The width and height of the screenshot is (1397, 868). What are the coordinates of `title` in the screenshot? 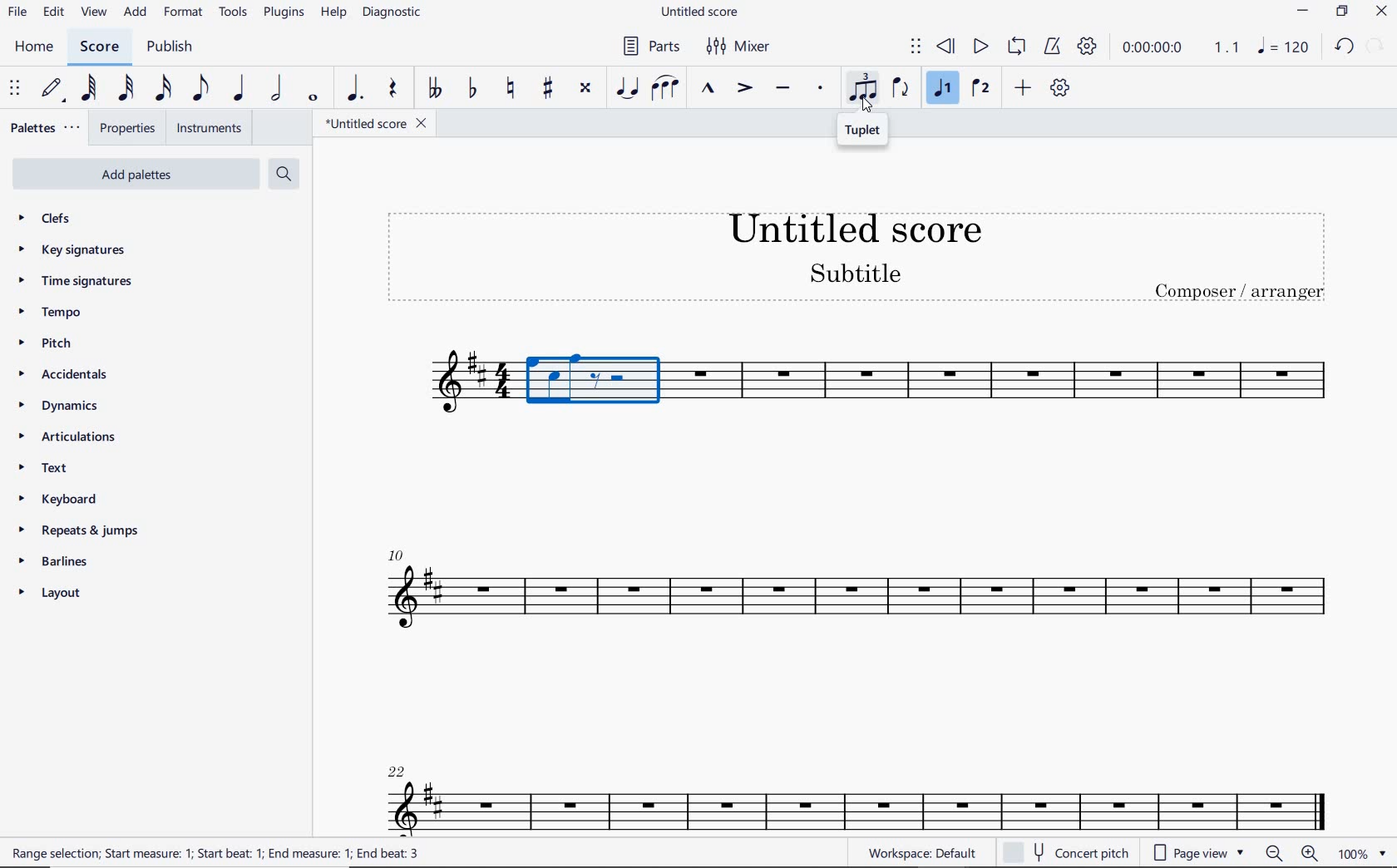 It's located at (856, 257).